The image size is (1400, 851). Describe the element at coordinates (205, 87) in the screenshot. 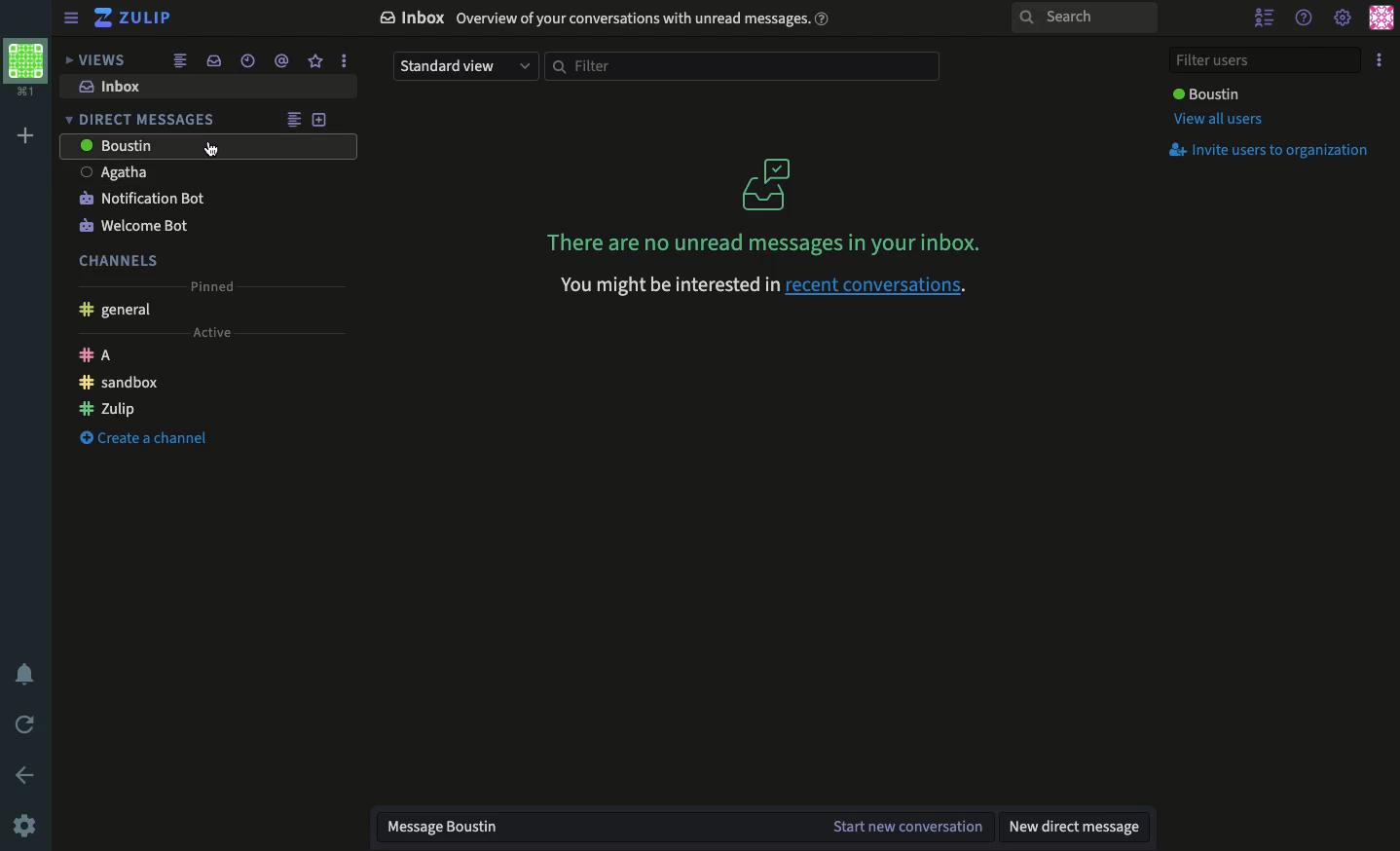

I see `Inbox` at that location.